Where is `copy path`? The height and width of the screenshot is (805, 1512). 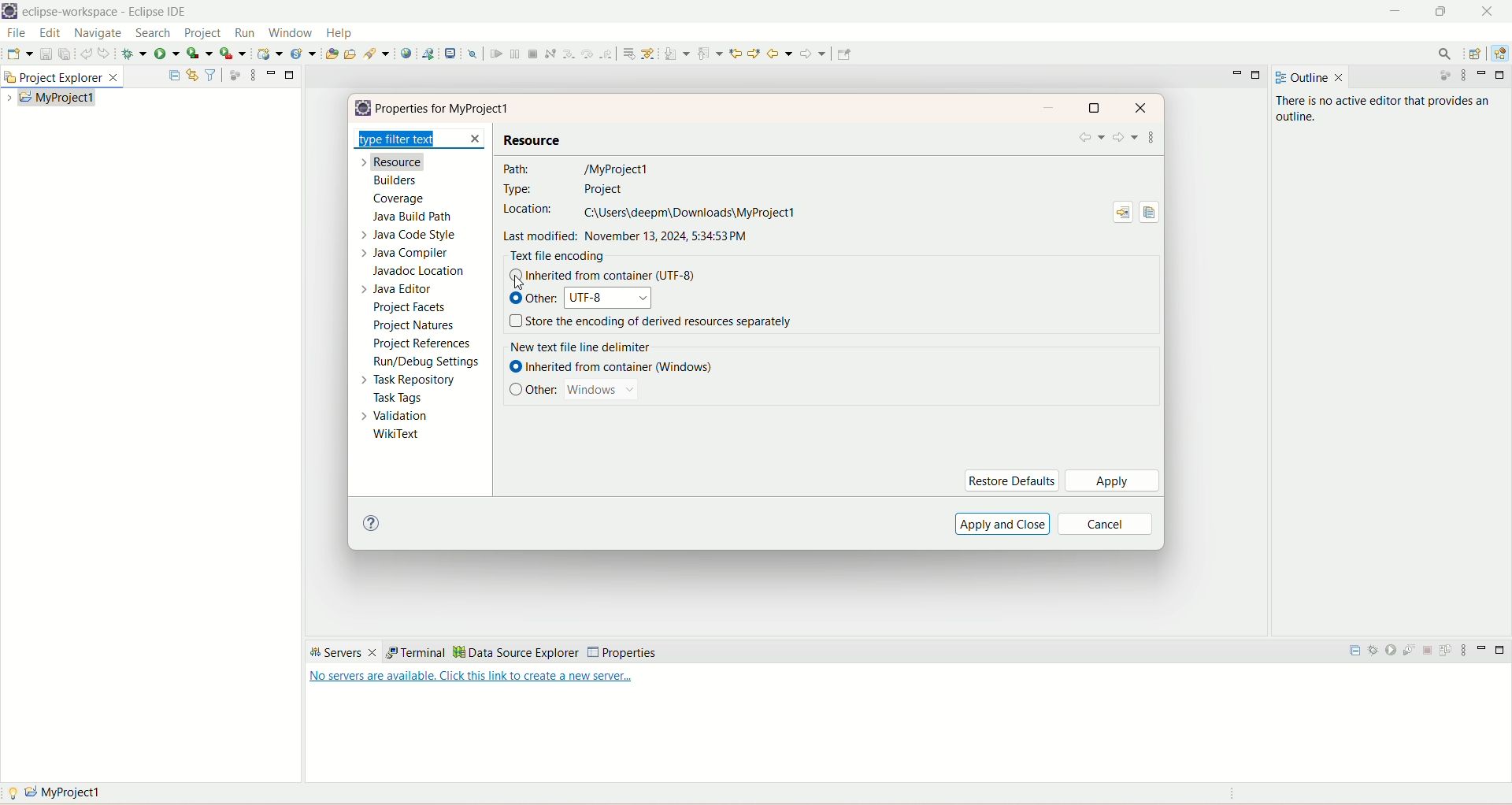
copy path is located at coordinates (1150, 214).